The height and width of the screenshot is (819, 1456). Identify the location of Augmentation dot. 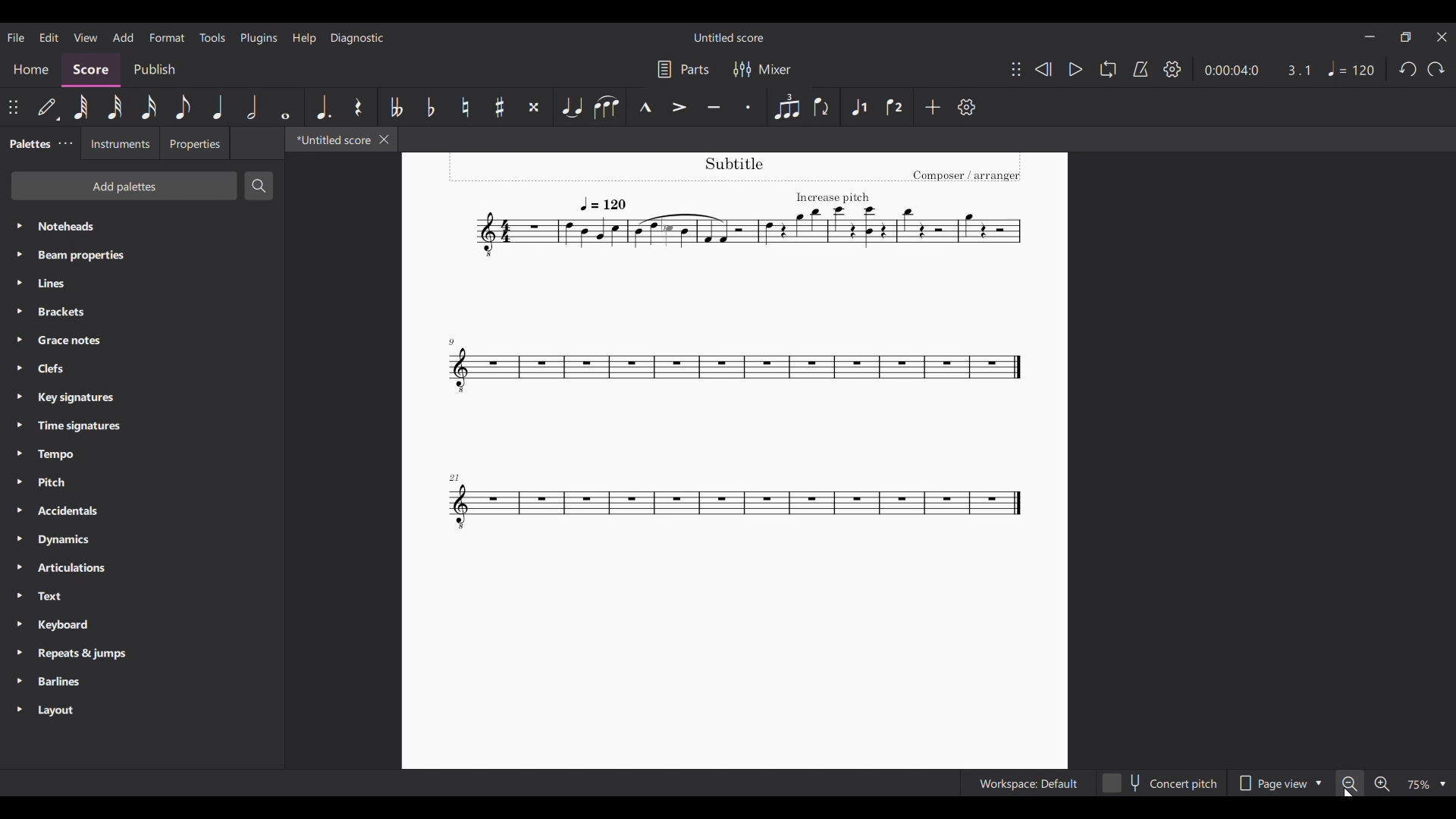
(324, 107).